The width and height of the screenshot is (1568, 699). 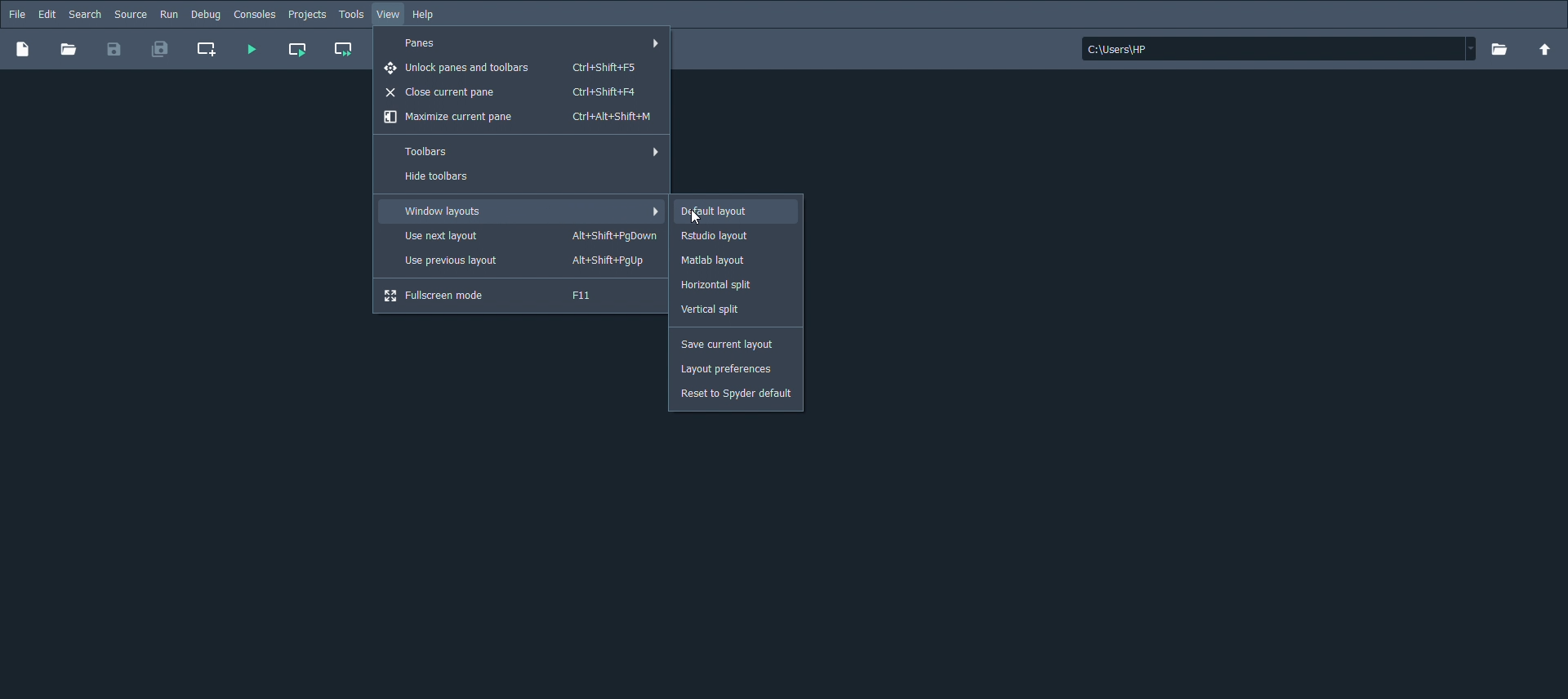 What do you see at coordinates (391, 16) in the screenshot?
I see `View` at bounding box center [391, 16].